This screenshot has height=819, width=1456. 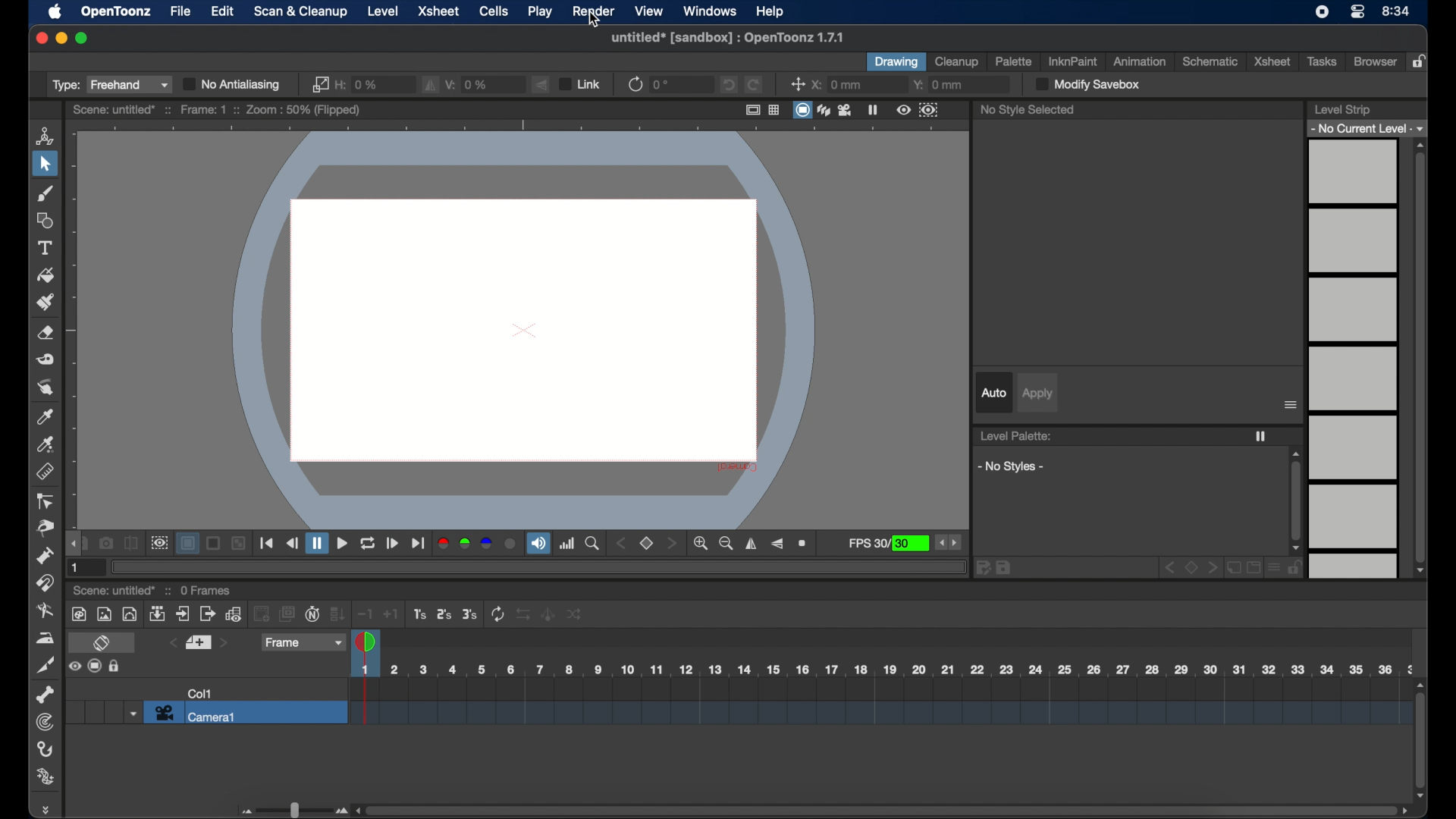 I want to click on view, so click(x=649, y=10).